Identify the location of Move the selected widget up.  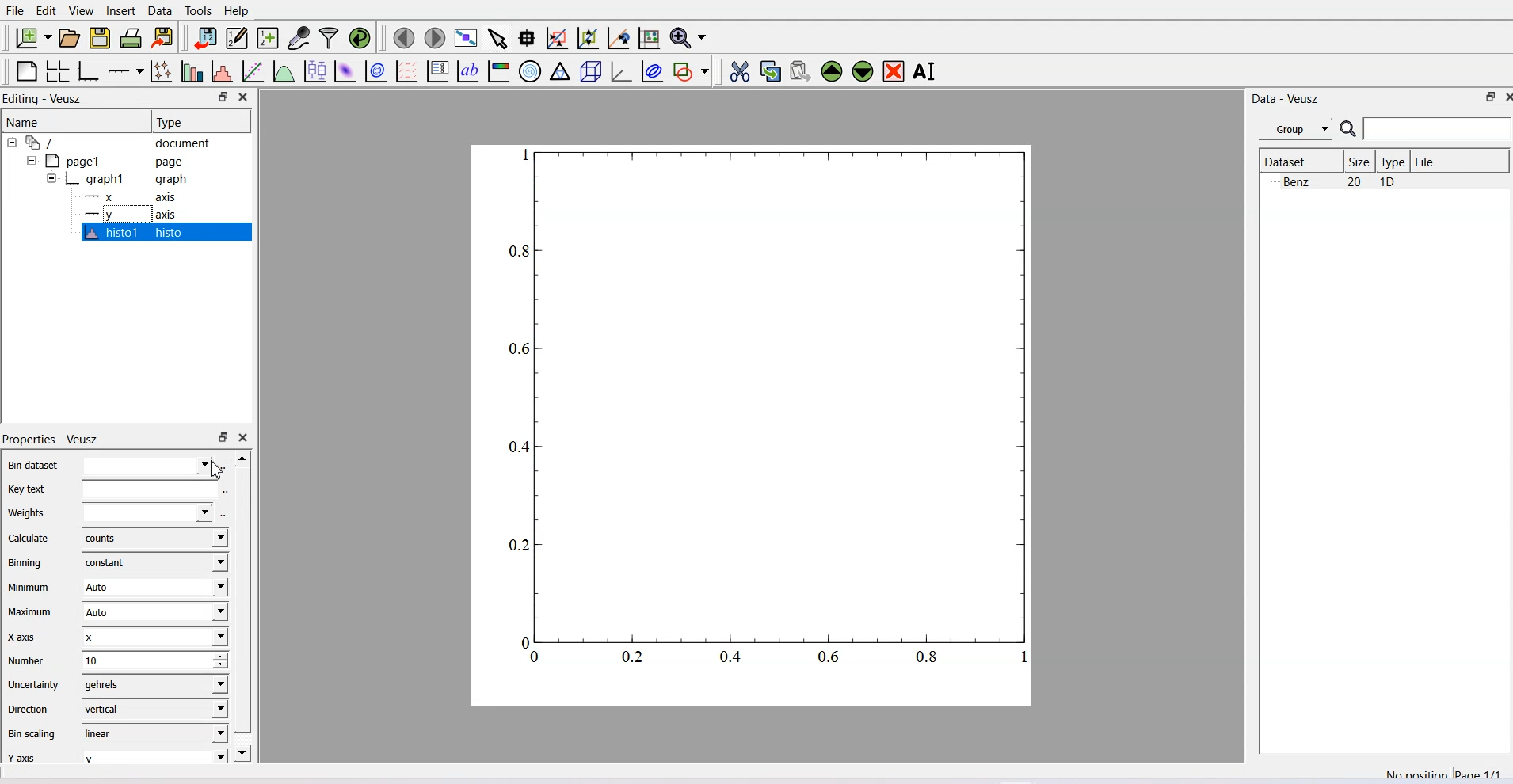
(832, 72).